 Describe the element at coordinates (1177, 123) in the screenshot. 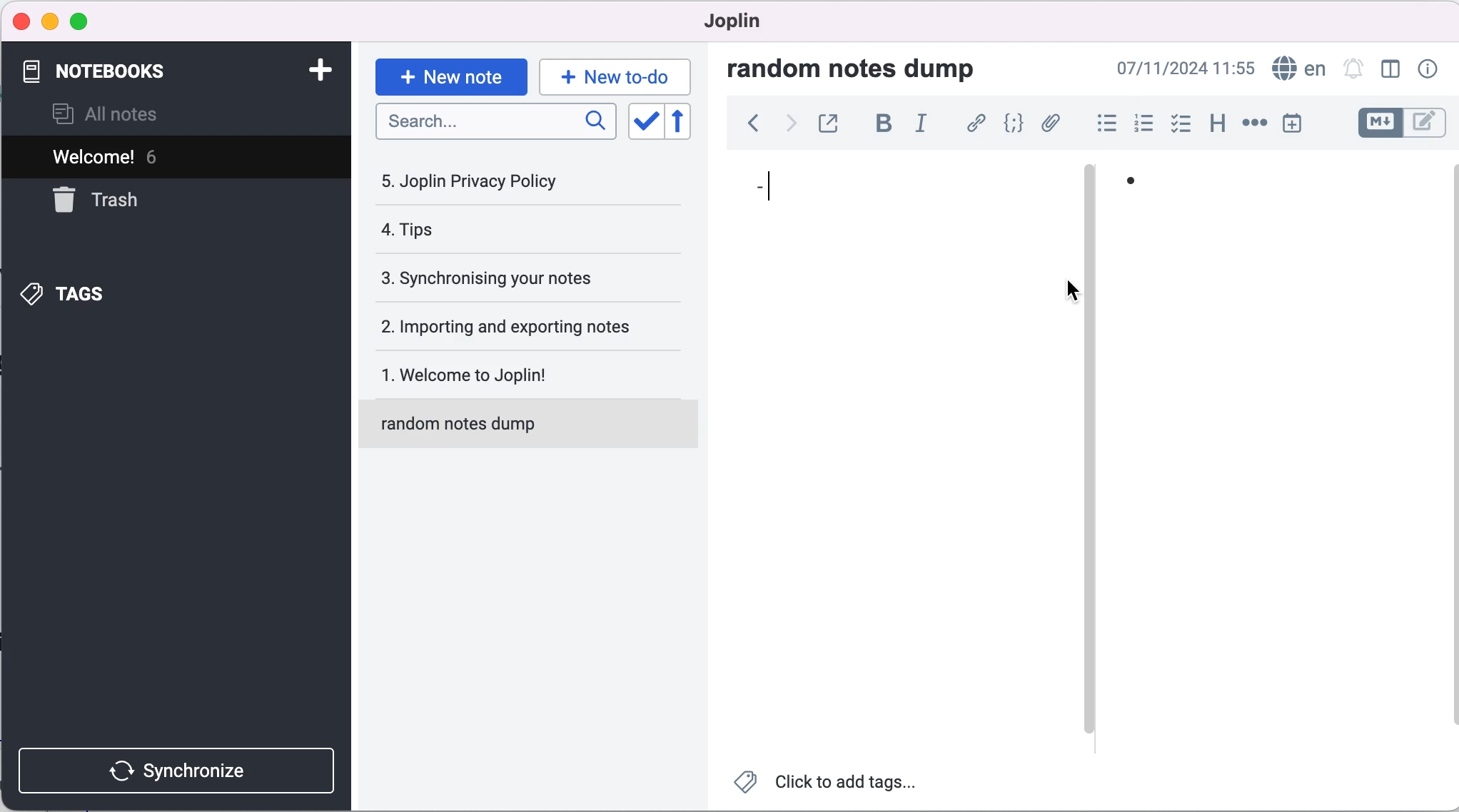

I see `check box` at that location.